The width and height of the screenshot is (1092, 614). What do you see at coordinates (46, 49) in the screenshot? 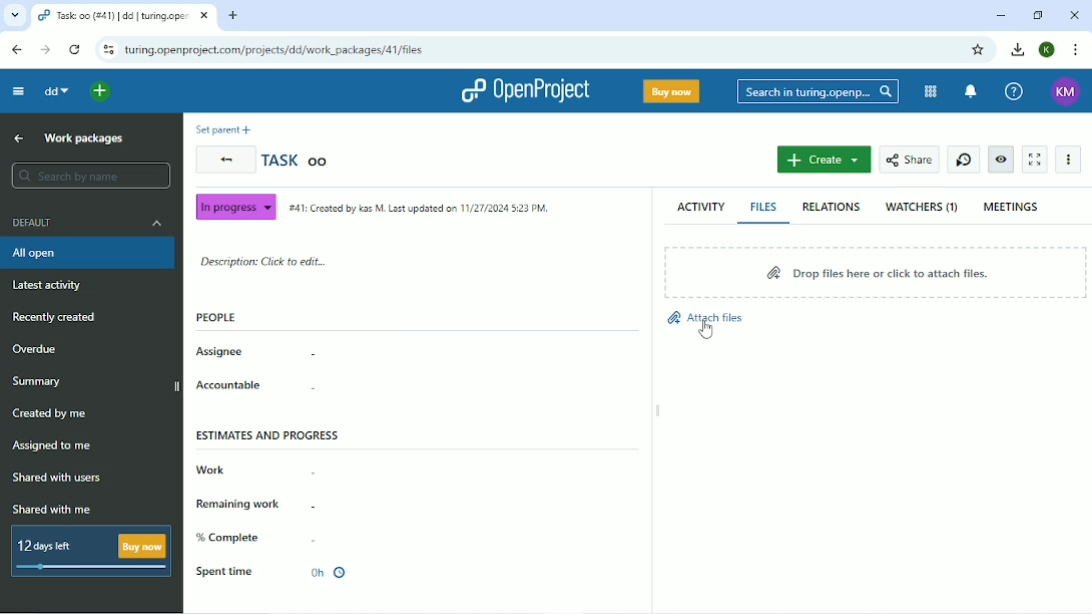
I see `Forward` at bounding box center [46, 49].